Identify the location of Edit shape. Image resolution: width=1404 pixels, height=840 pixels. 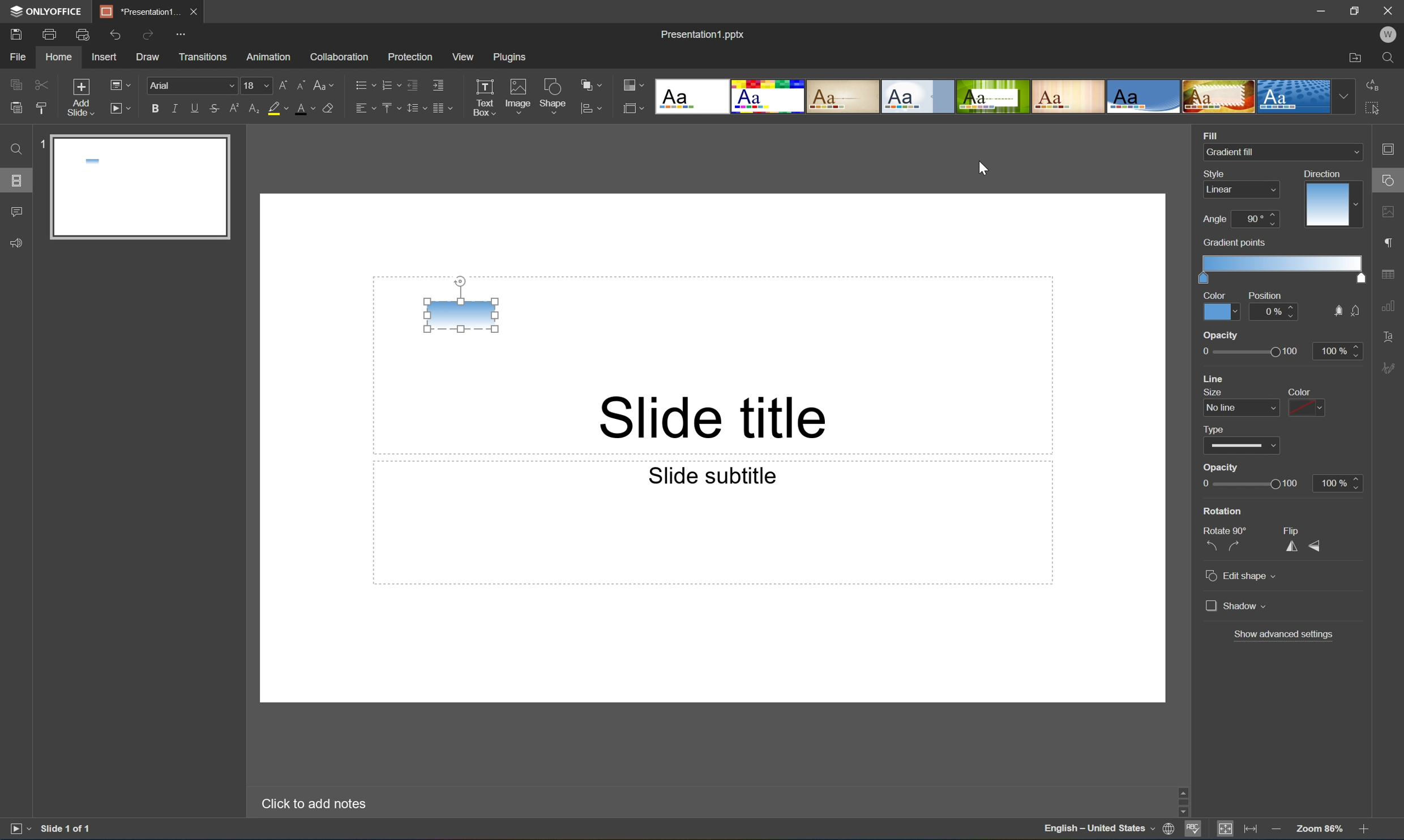
(1243, 577).